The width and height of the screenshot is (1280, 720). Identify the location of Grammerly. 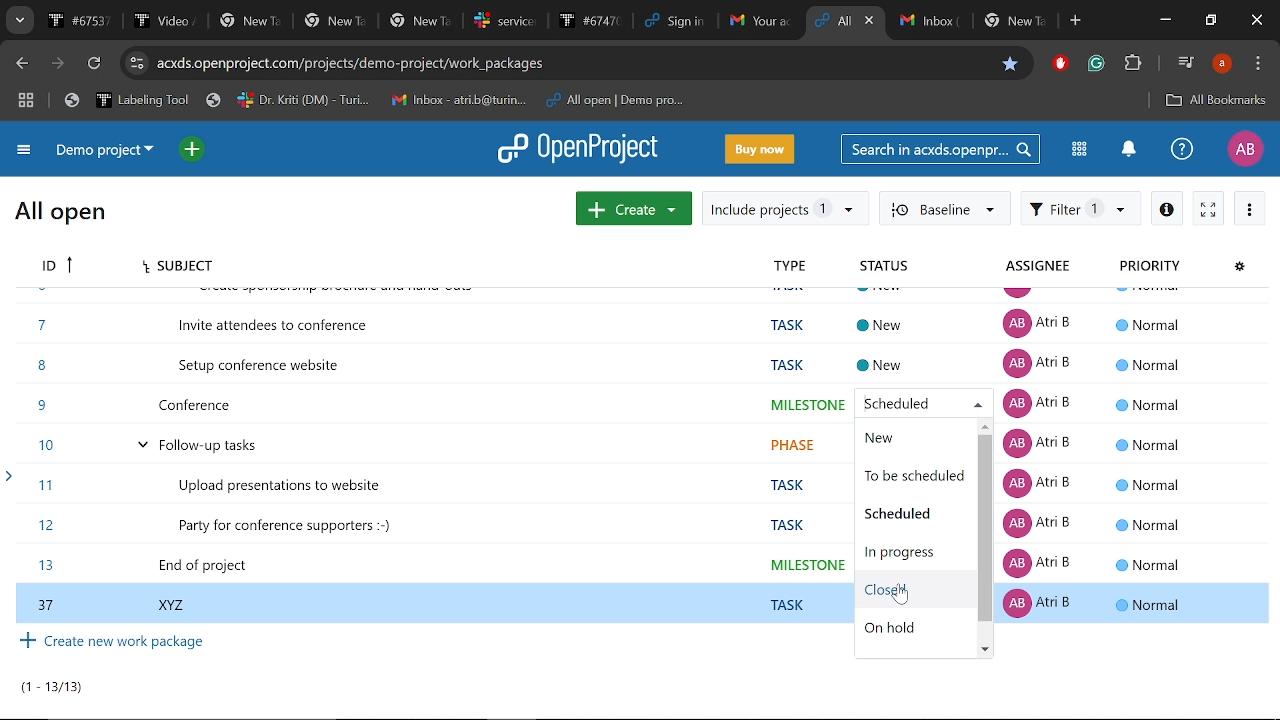
(1096, 65).